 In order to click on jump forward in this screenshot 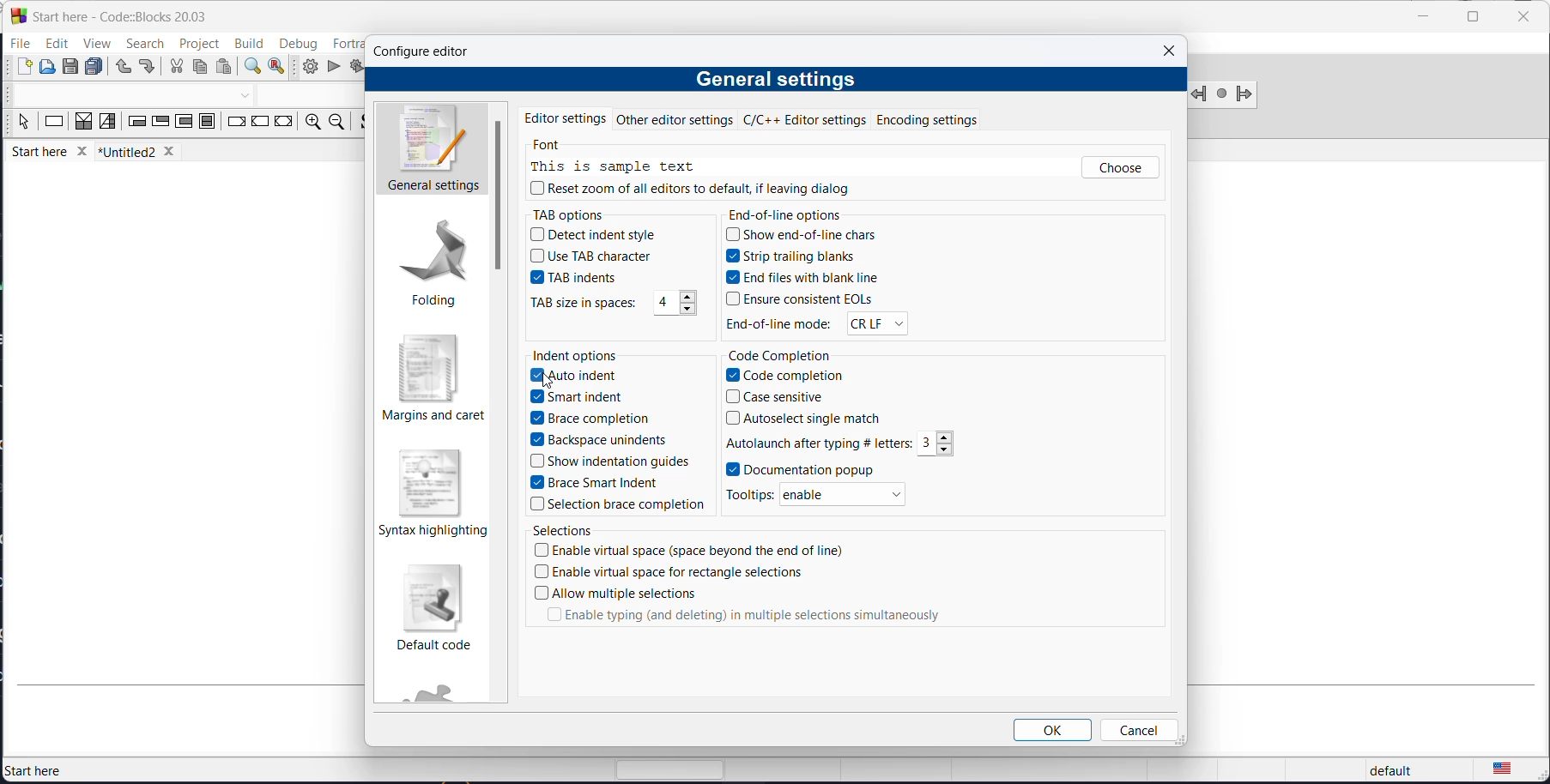, I will do `click(1244, 94)`.